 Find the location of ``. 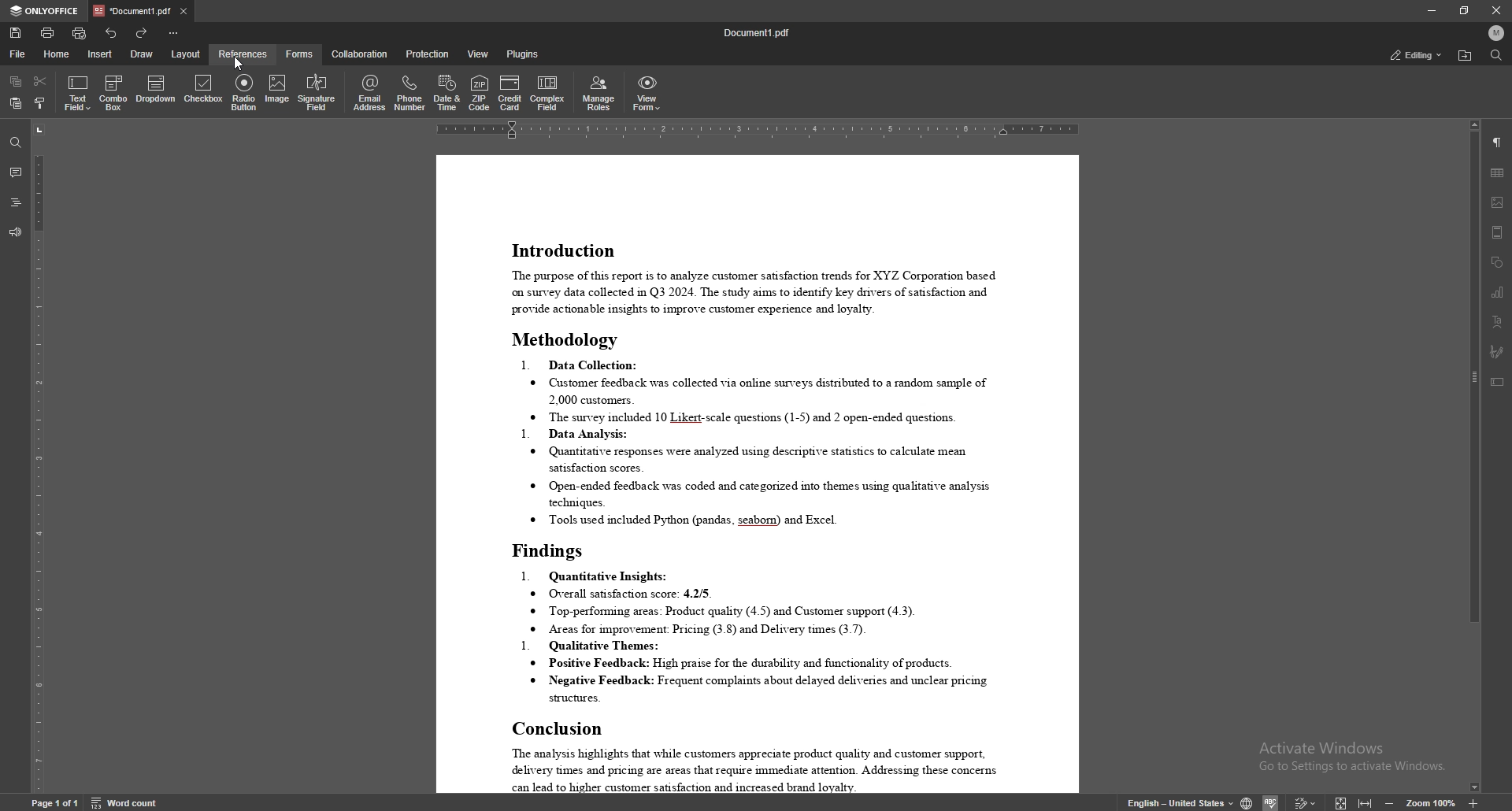

 is located at coordinates (1270, 802).